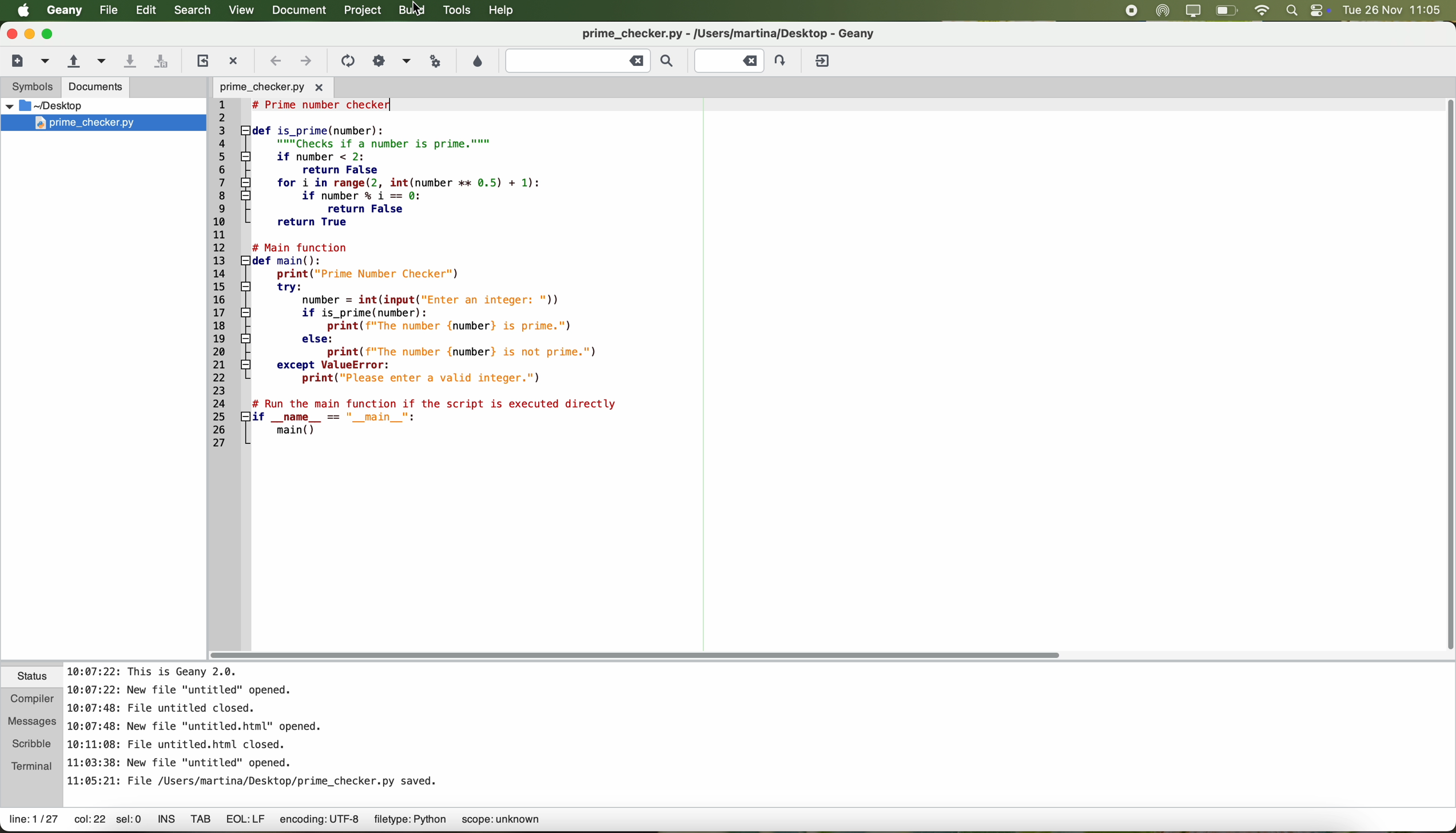 This screenshot has width=1456, height=833. Describe the element at coordinates (240, 10) in the screenshot. I see `view` at that location.